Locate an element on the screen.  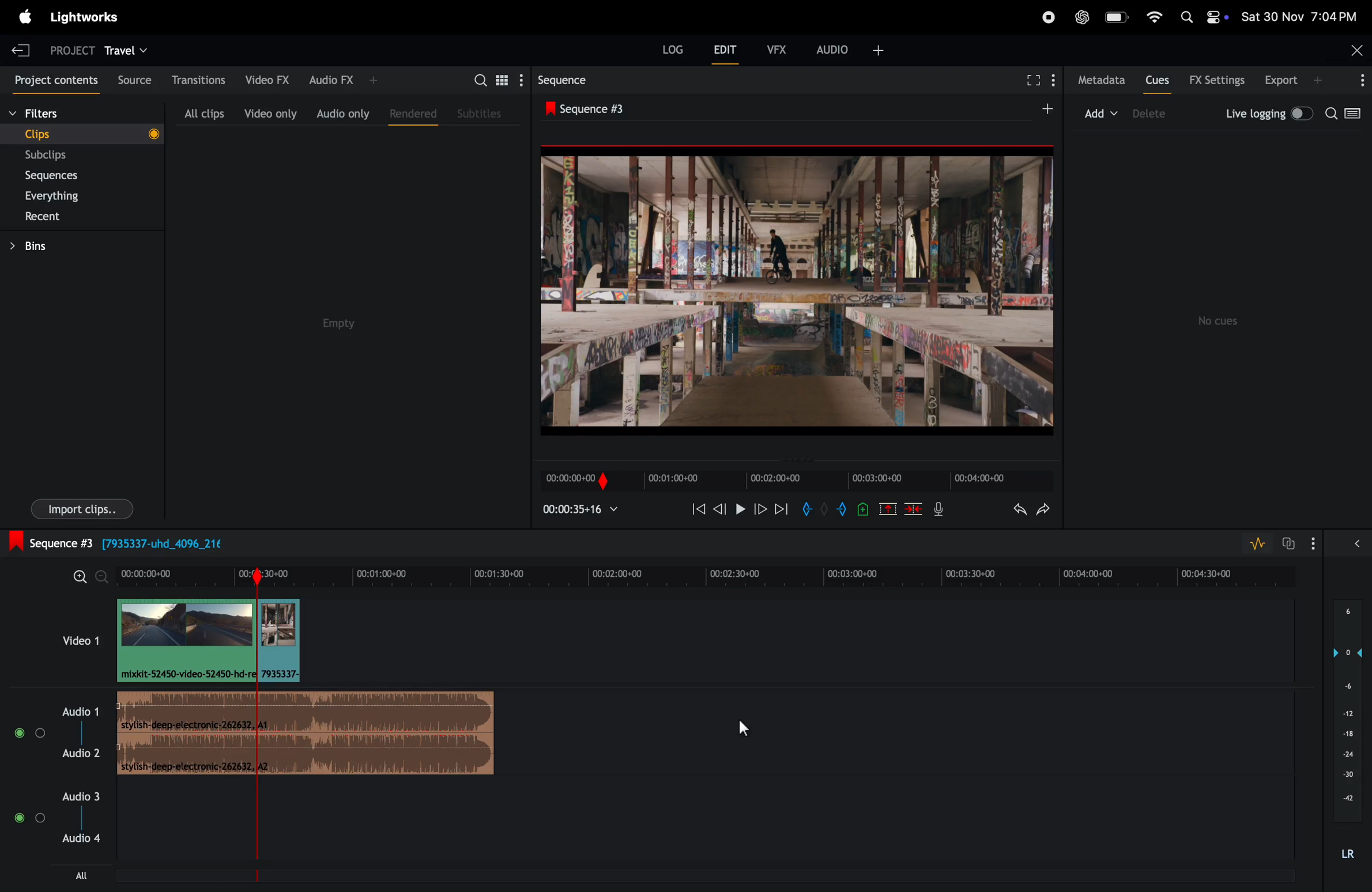
apple widgets is located at coordinates (1204, 16).